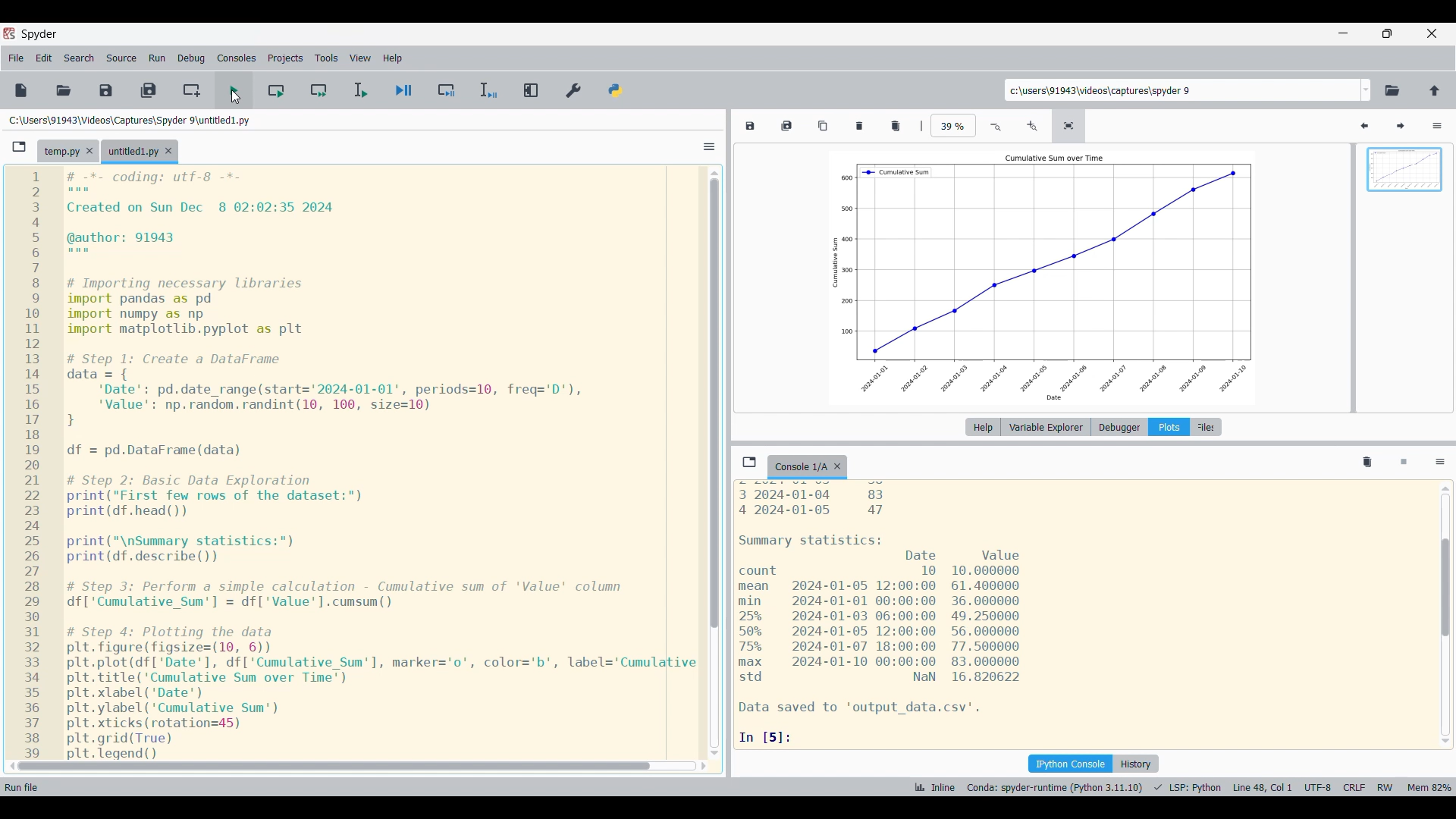 This screenshot has height=819, width=1456. Describe the element at coordinates (89, 151) in the screenshot. I see `Close` at that location.